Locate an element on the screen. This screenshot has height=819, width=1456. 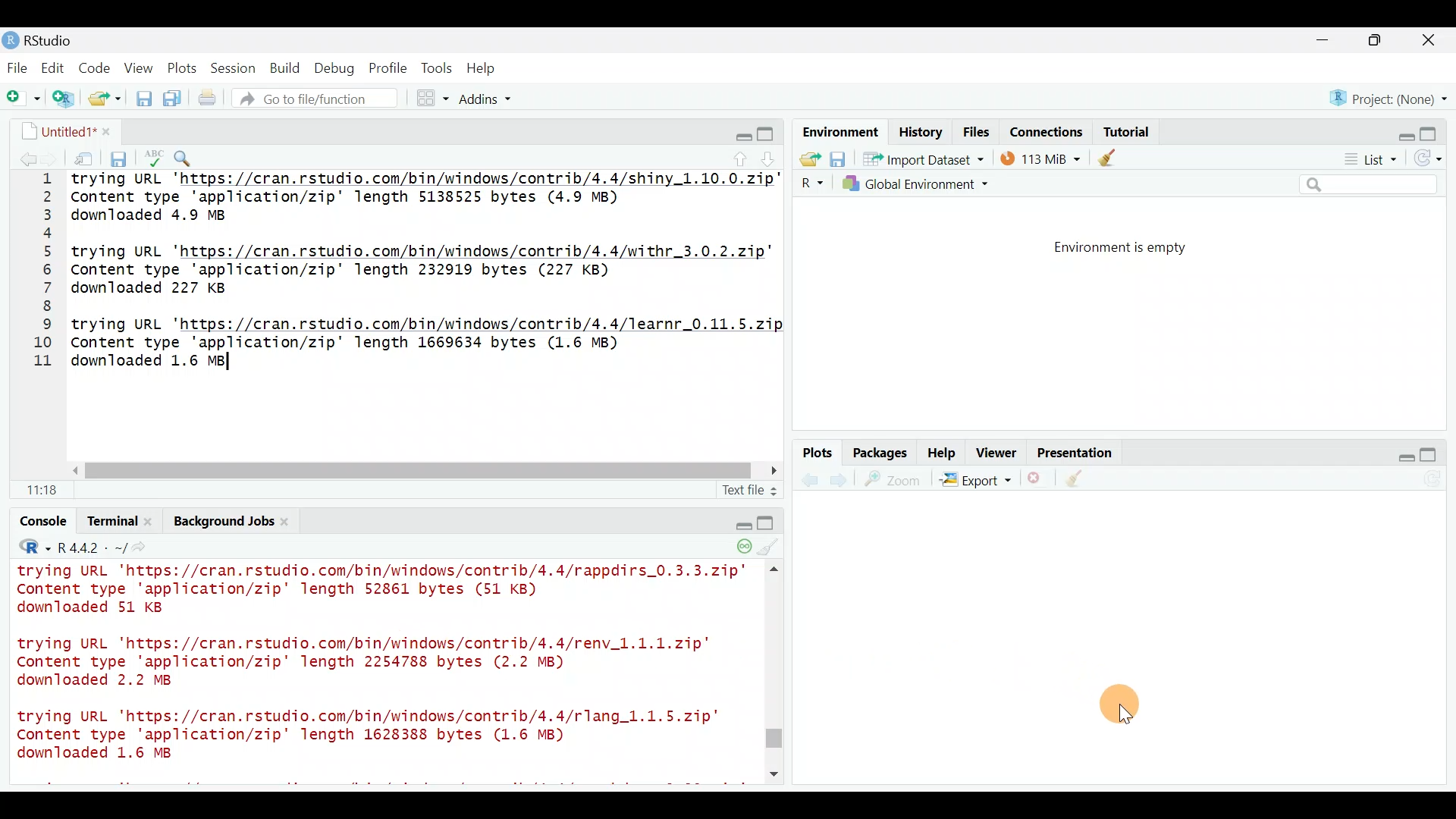
Build is located at coordinates (286, 67).